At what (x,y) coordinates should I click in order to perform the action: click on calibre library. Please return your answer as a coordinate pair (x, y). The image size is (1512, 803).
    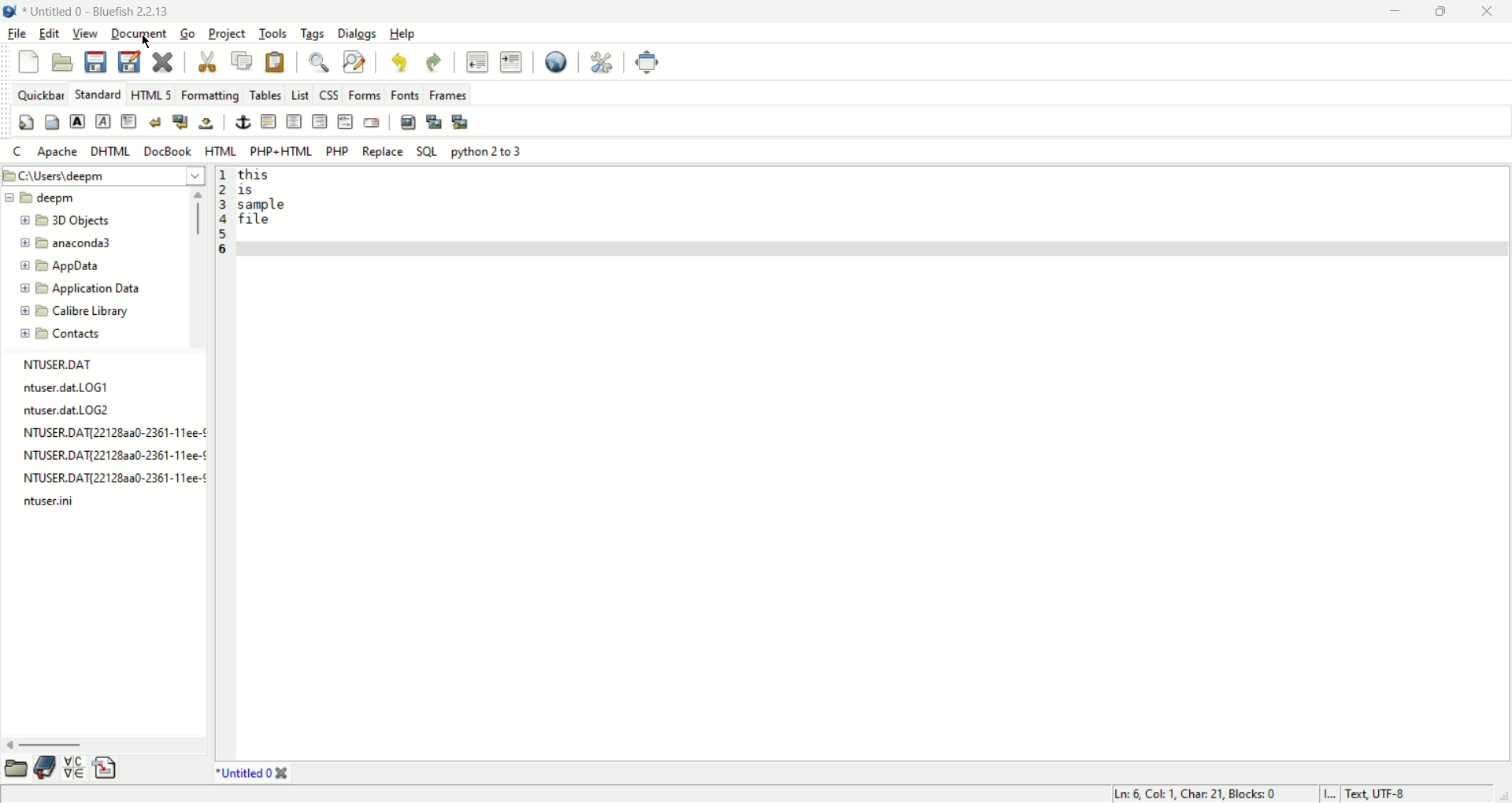
    Looking at the image, I should click on (77, 313).